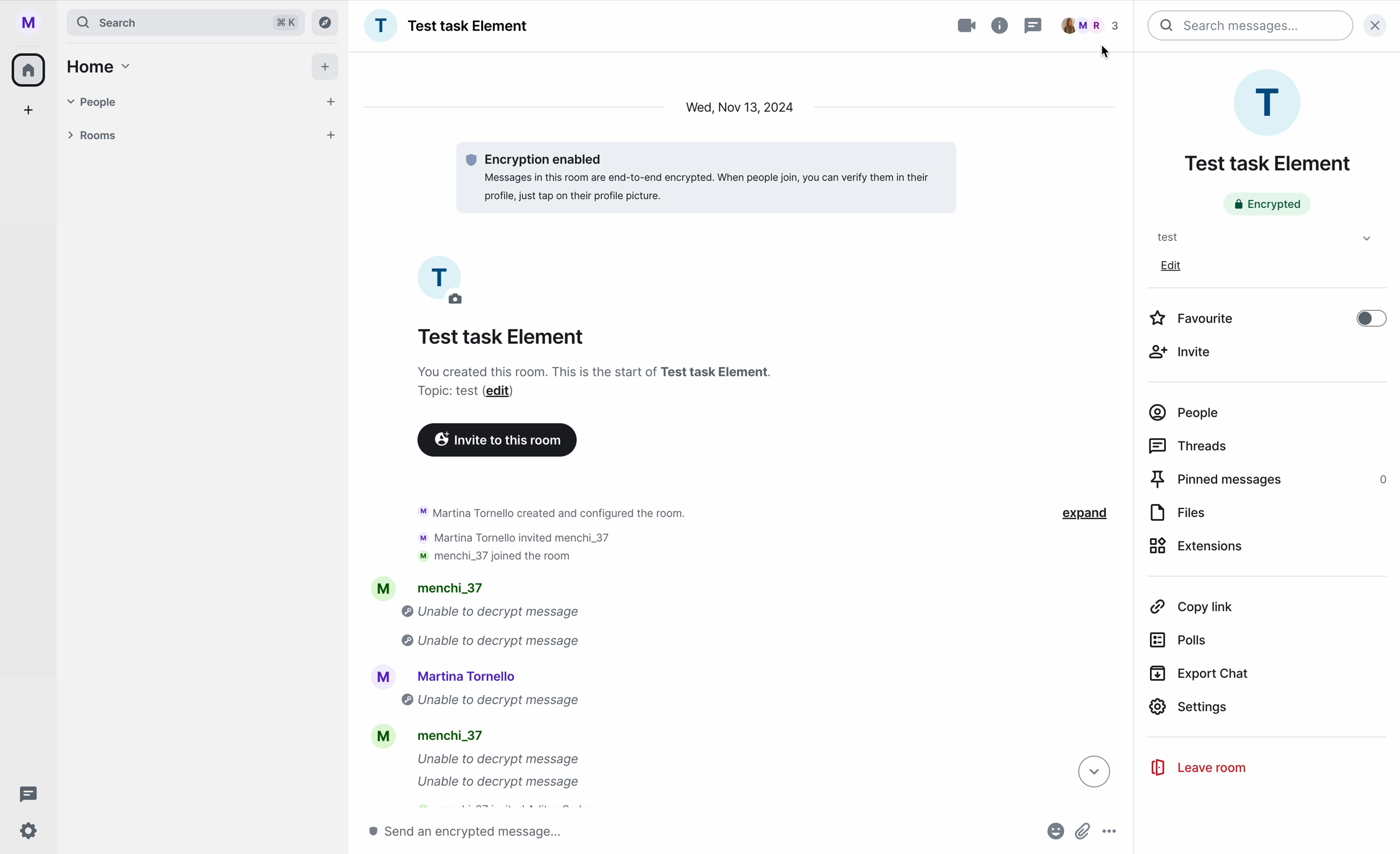 The image size is (1400, 854). What do you see at coordinates (206, 135) in the screenshot?
I see `rooms tab` at bounding box center [206, 135].